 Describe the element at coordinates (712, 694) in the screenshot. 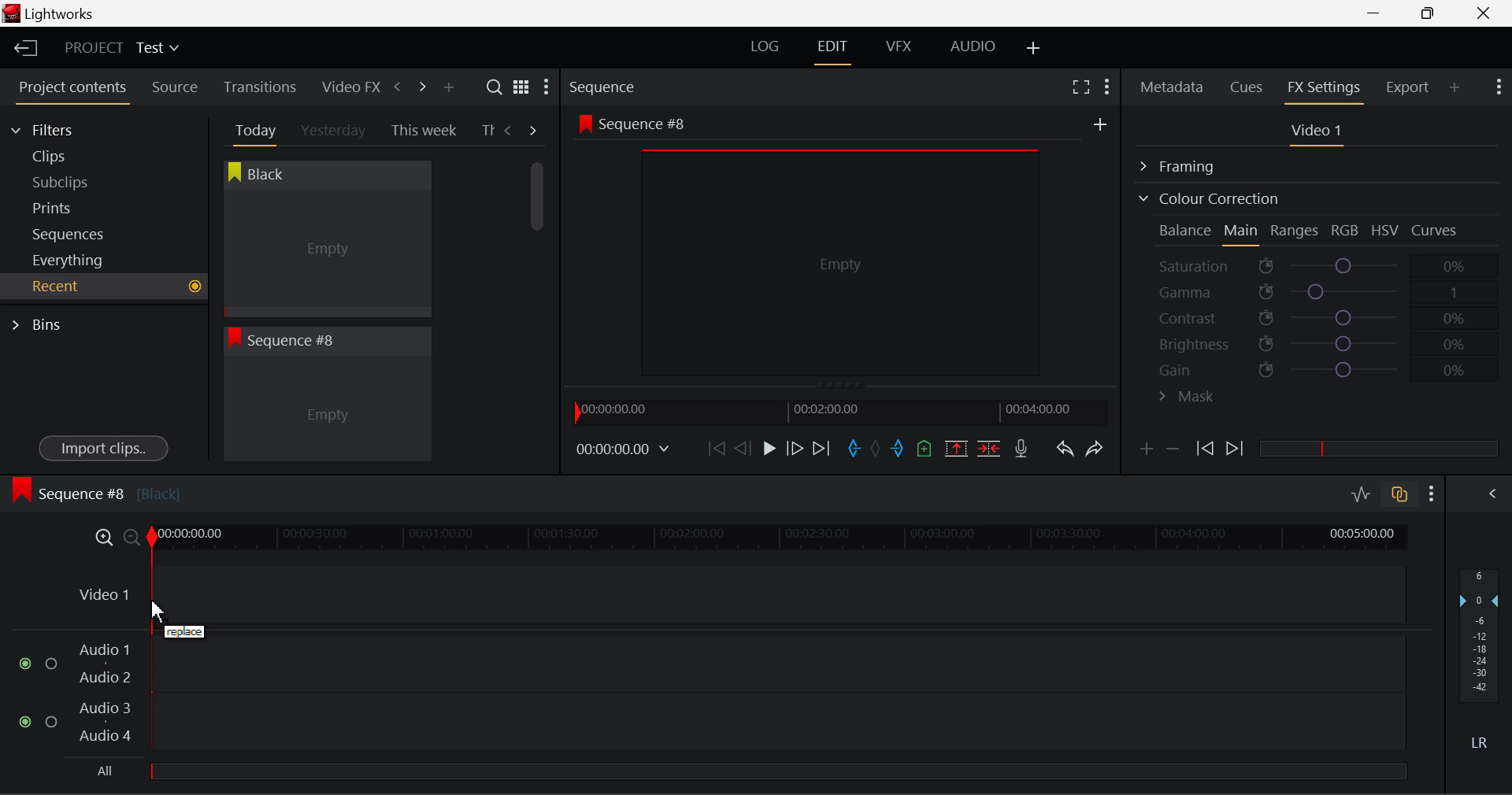

I see `Audio Input Fields` at that location.